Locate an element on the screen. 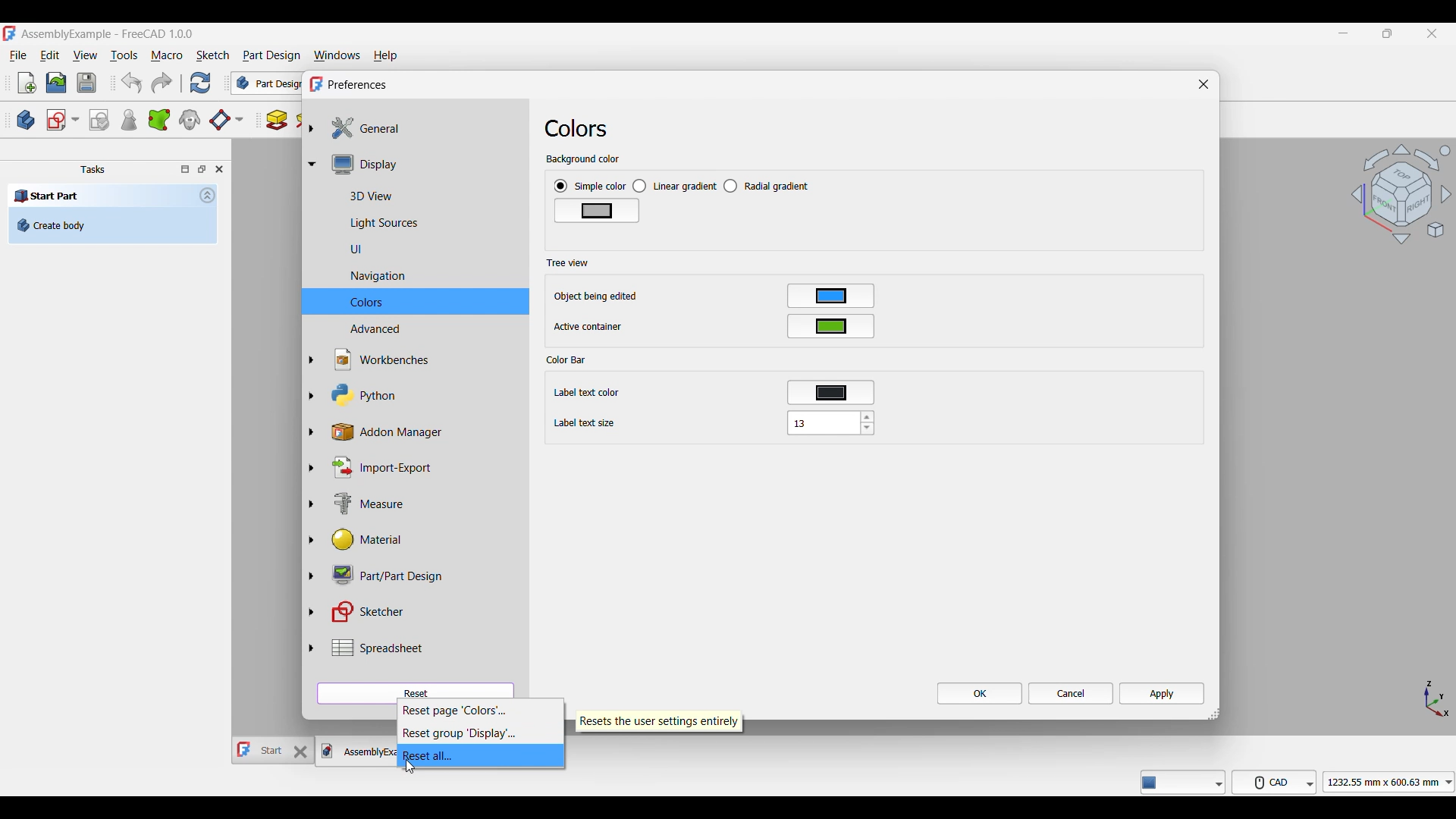 The image size is (1456, 819). Switch between workbenches is located at coordinates (266, 83).